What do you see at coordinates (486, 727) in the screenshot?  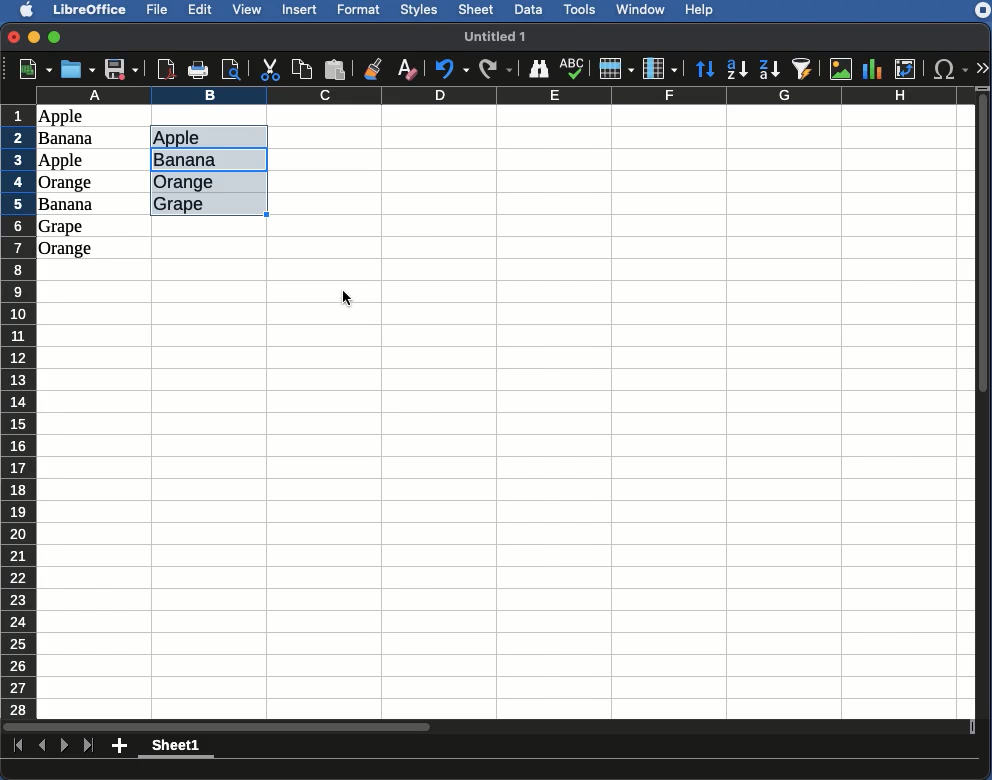 I see `Scroll` at bounding box center [486, 727].